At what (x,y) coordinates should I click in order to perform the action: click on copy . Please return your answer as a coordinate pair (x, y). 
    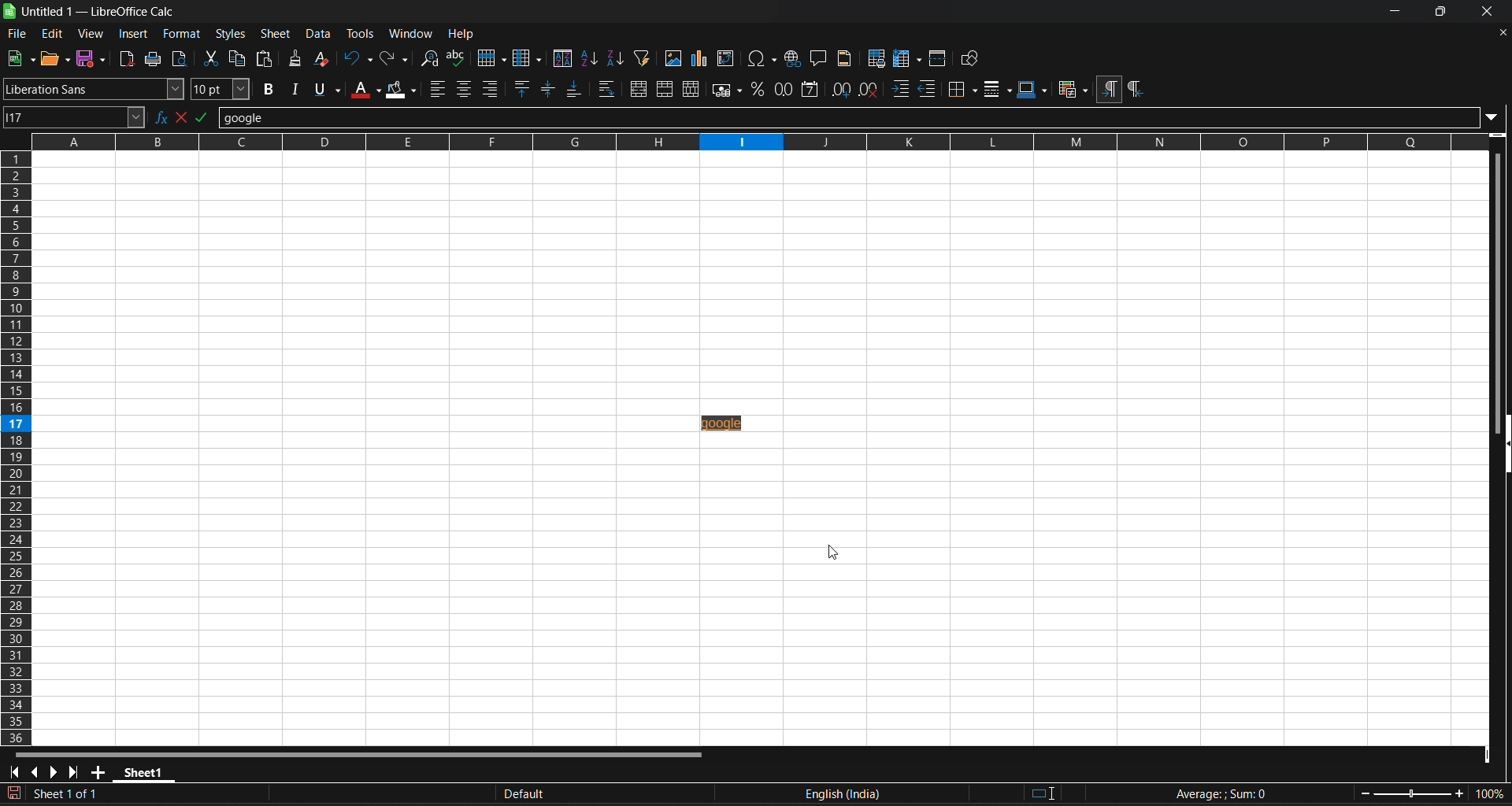
    Looking at the image, I should click on (239, 57).